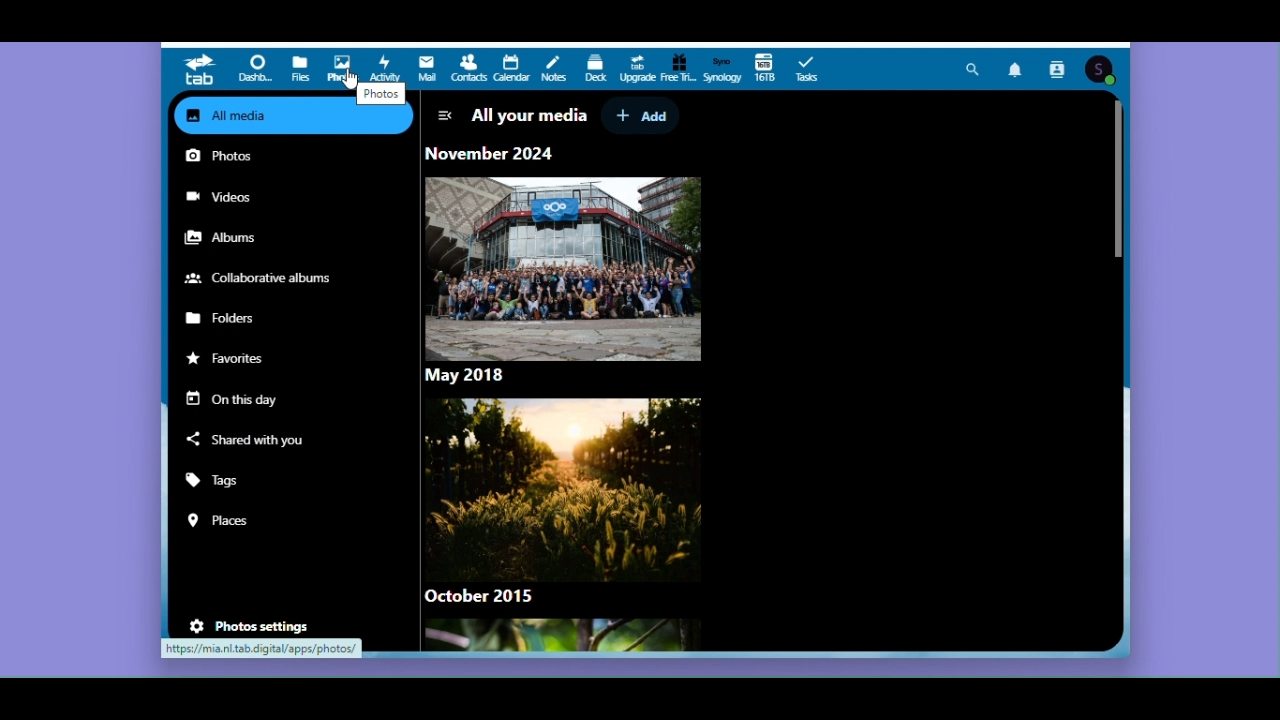 This screenshot has height=720, width=1280. Describe the element at coordinates (228, 483) in the screenshot. I see `Tags ` at that location.